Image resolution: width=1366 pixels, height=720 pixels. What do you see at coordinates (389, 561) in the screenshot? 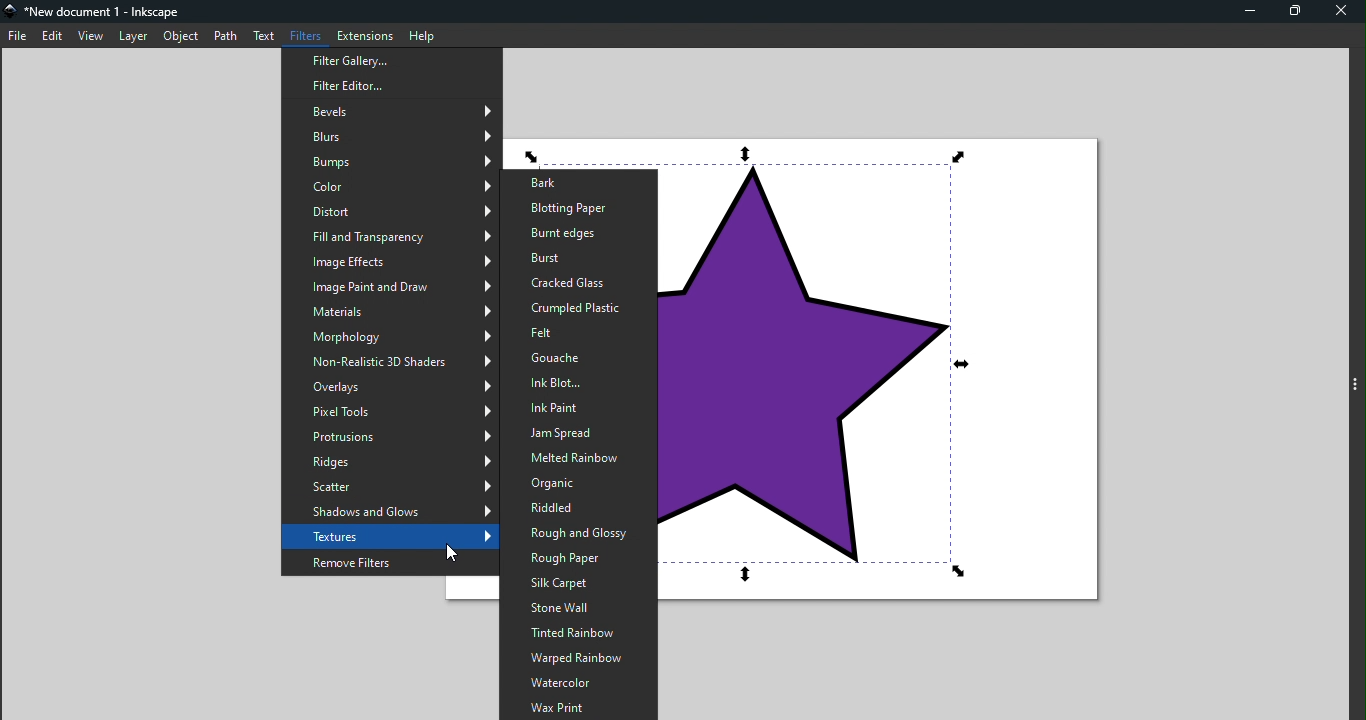
I see `Remove filters` at bounding box center [389, 561].